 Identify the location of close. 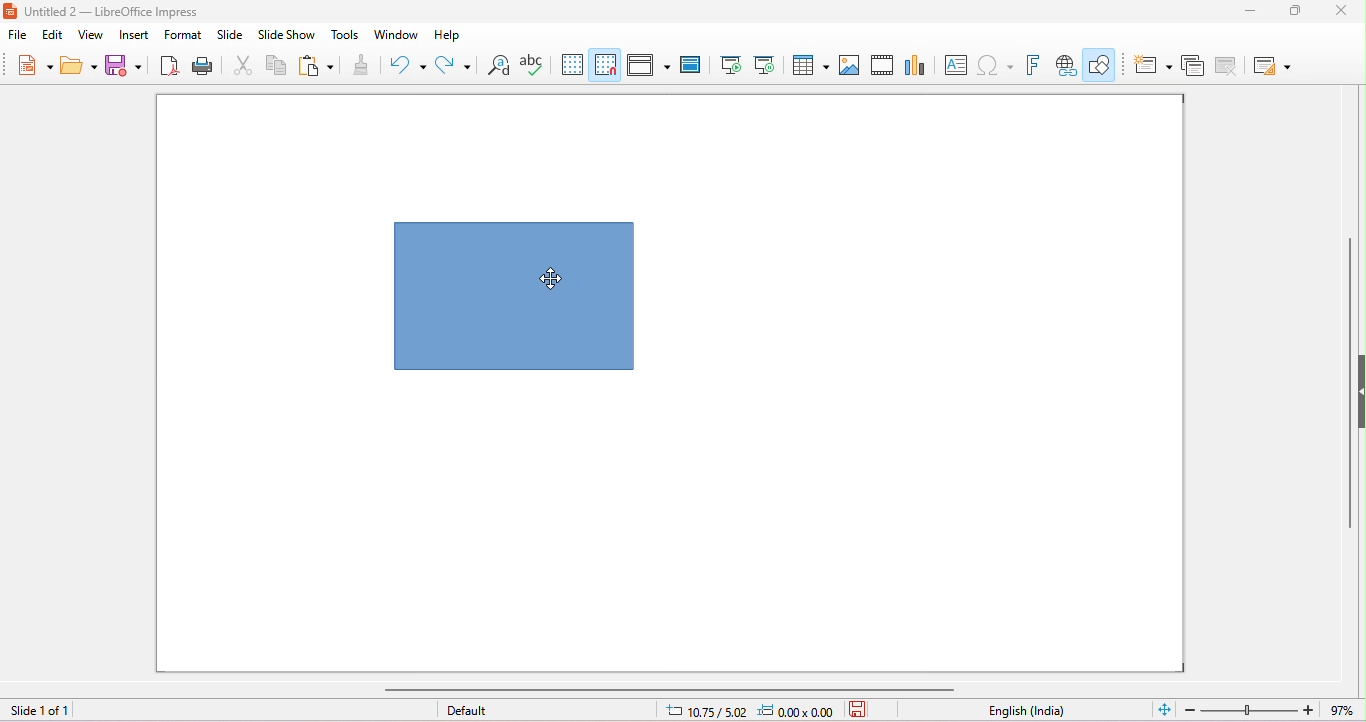
(1339, 11).